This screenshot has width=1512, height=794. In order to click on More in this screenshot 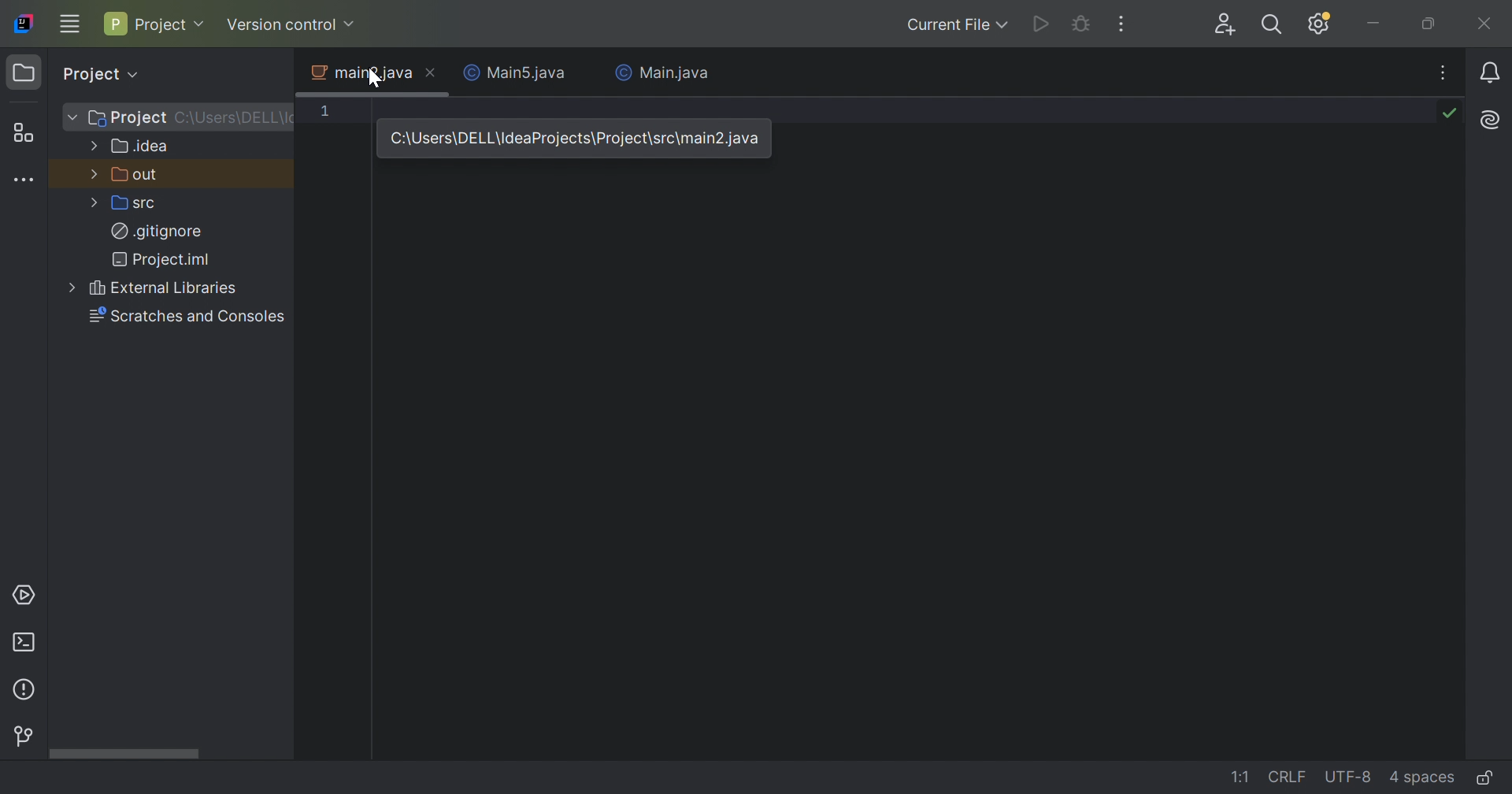, I will do `click(75, 288)`.